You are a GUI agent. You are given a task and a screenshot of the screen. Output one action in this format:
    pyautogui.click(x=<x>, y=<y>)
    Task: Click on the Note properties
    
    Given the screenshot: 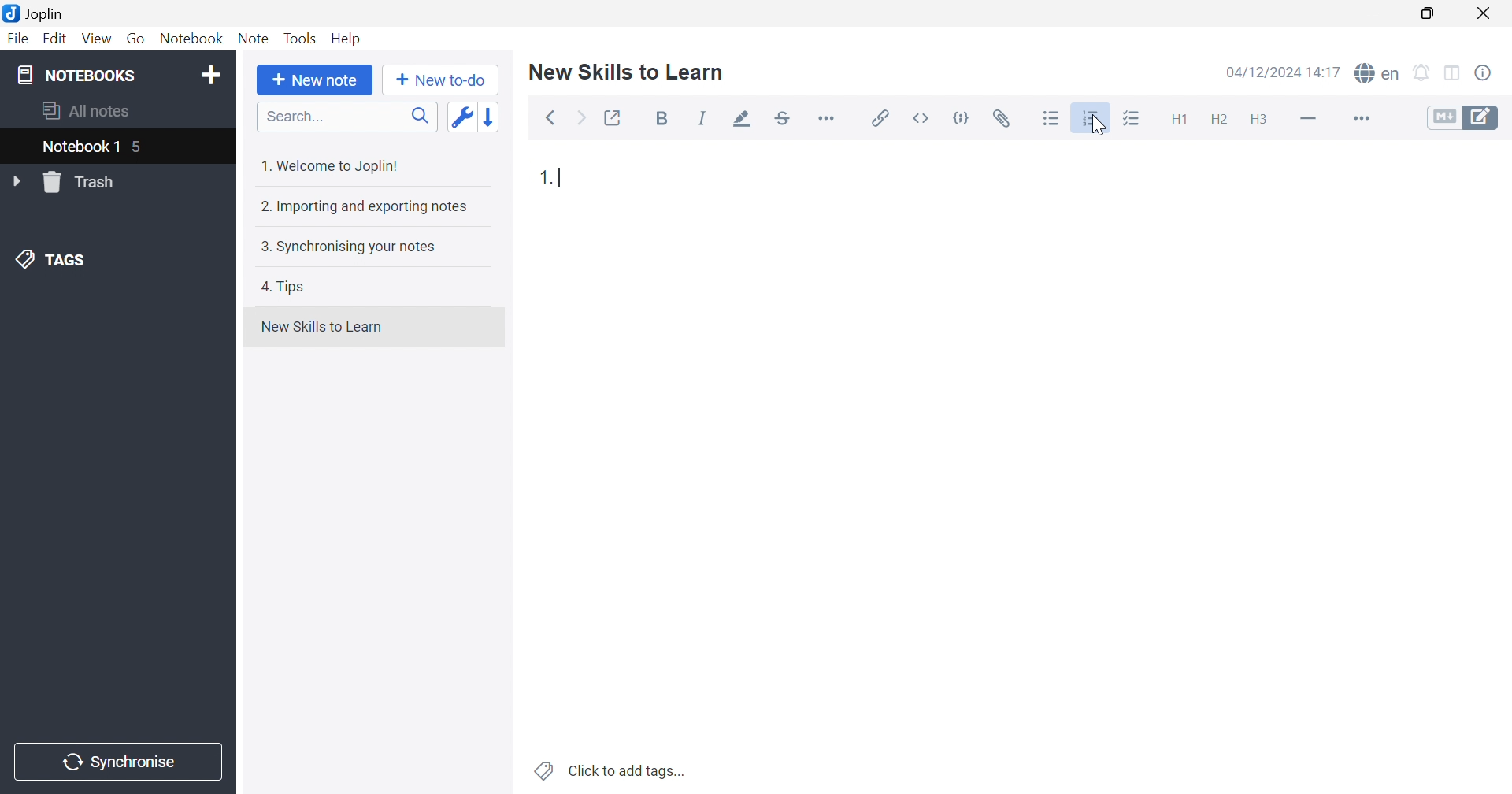 What is the action you would take?
    pyautogui.click(x=1483, y=73)
    